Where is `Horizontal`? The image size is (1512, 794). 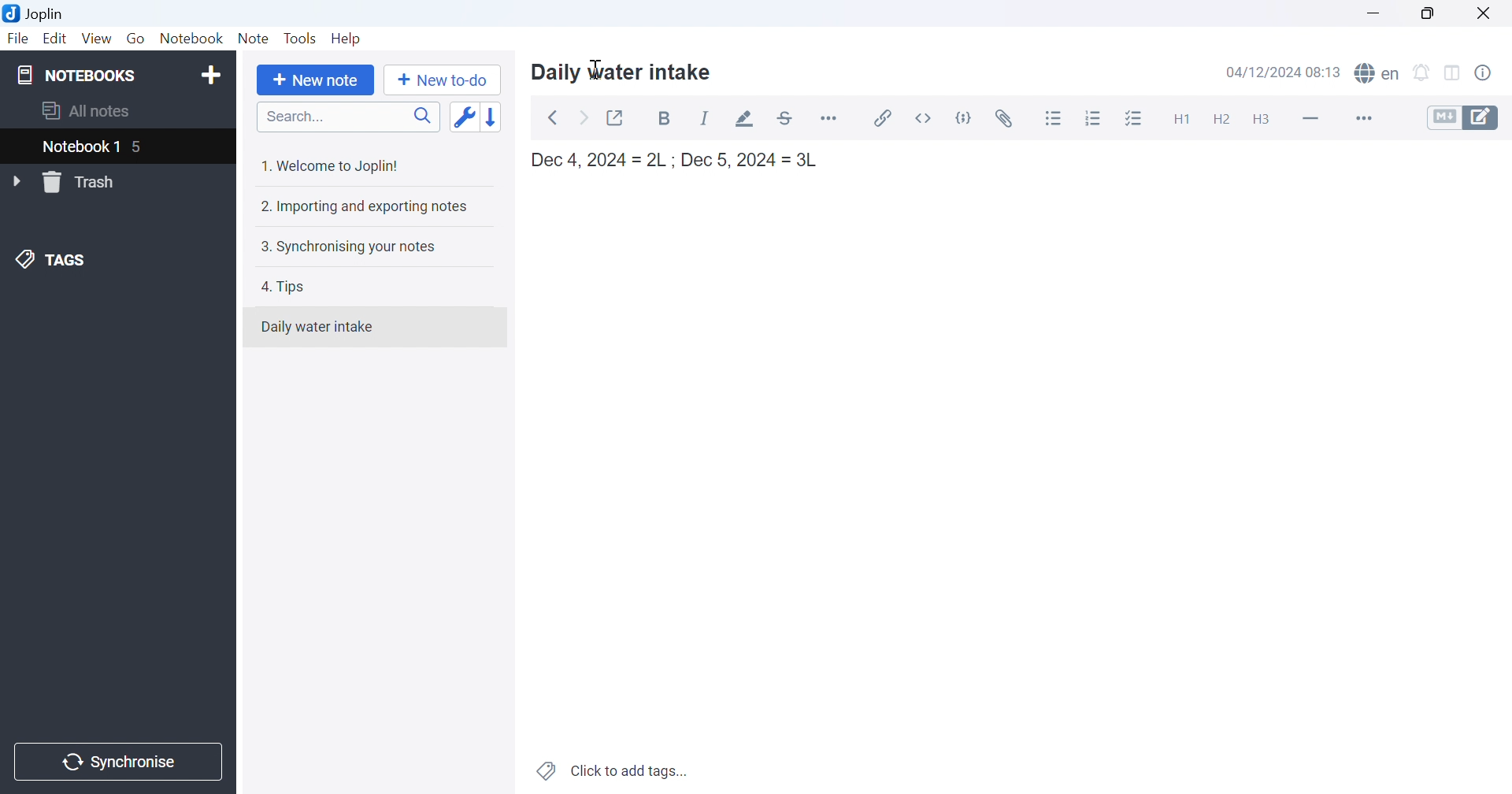
Horizontal is located at coordinates (832, 118).